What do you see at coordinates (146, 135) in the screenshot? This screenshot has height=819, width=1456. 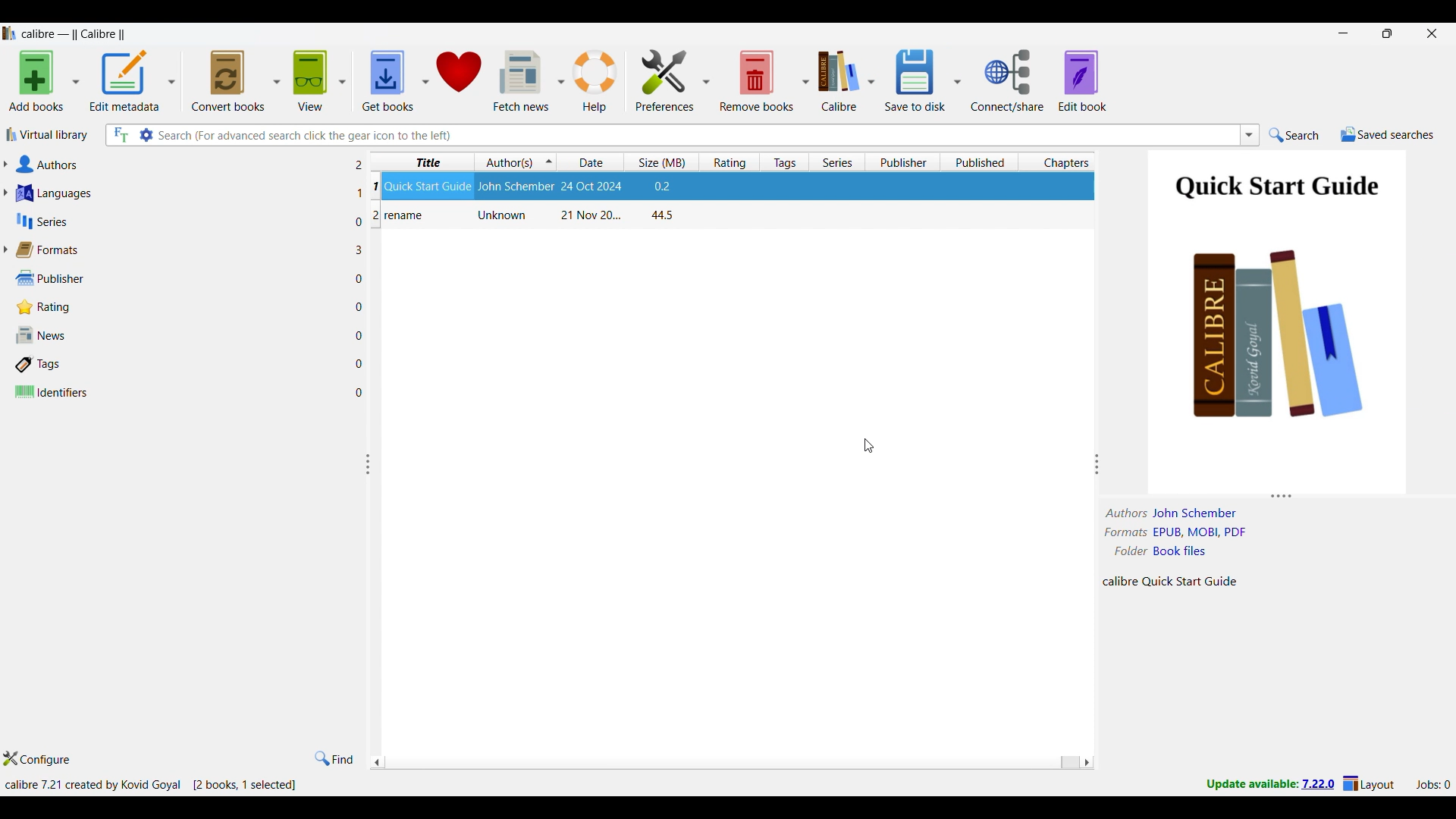 I see `Advanced search` at bounding box center [146, 135].